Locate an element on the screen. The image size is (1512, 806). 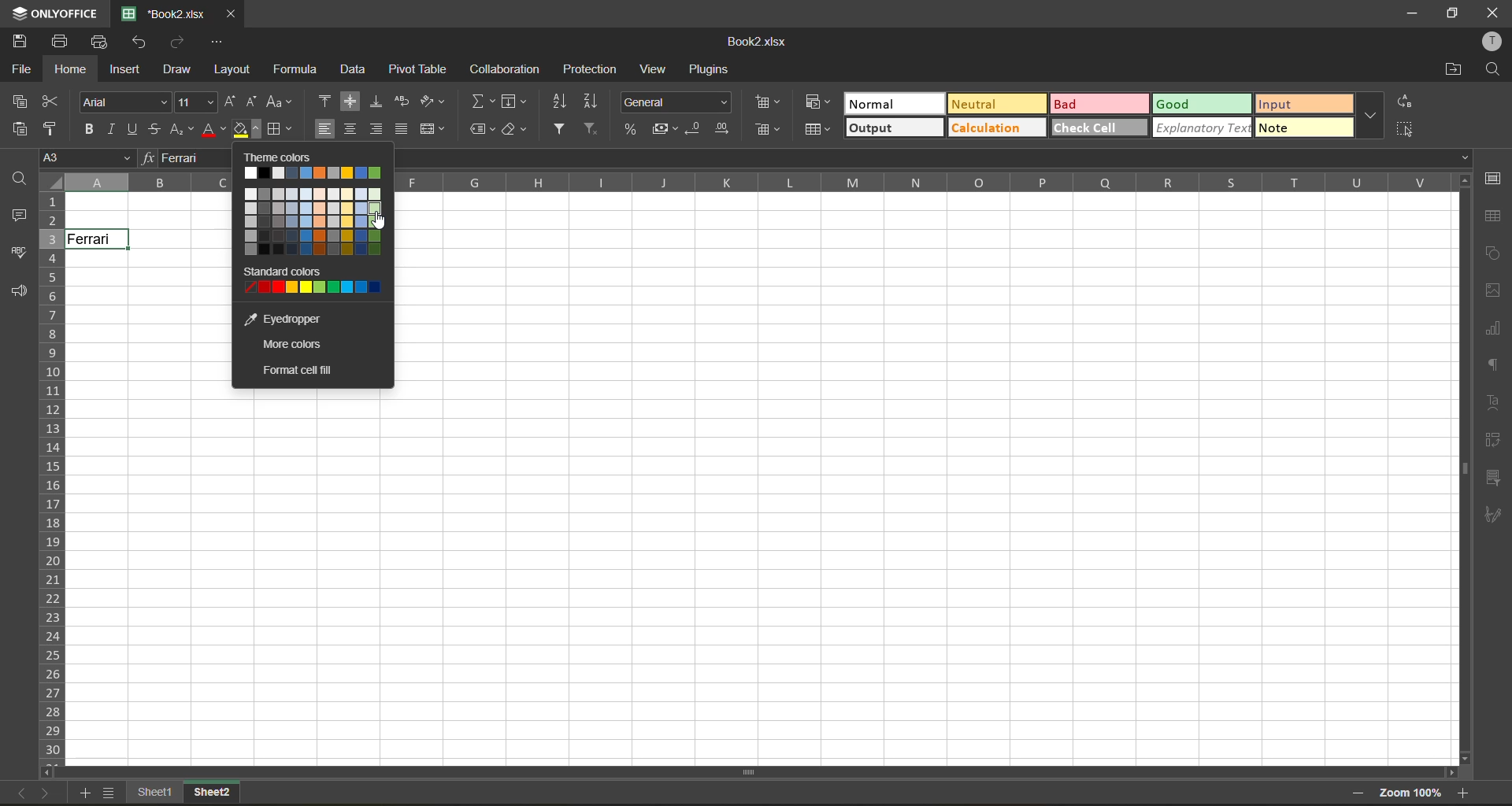
replace is located at coordinates (1405, 102).